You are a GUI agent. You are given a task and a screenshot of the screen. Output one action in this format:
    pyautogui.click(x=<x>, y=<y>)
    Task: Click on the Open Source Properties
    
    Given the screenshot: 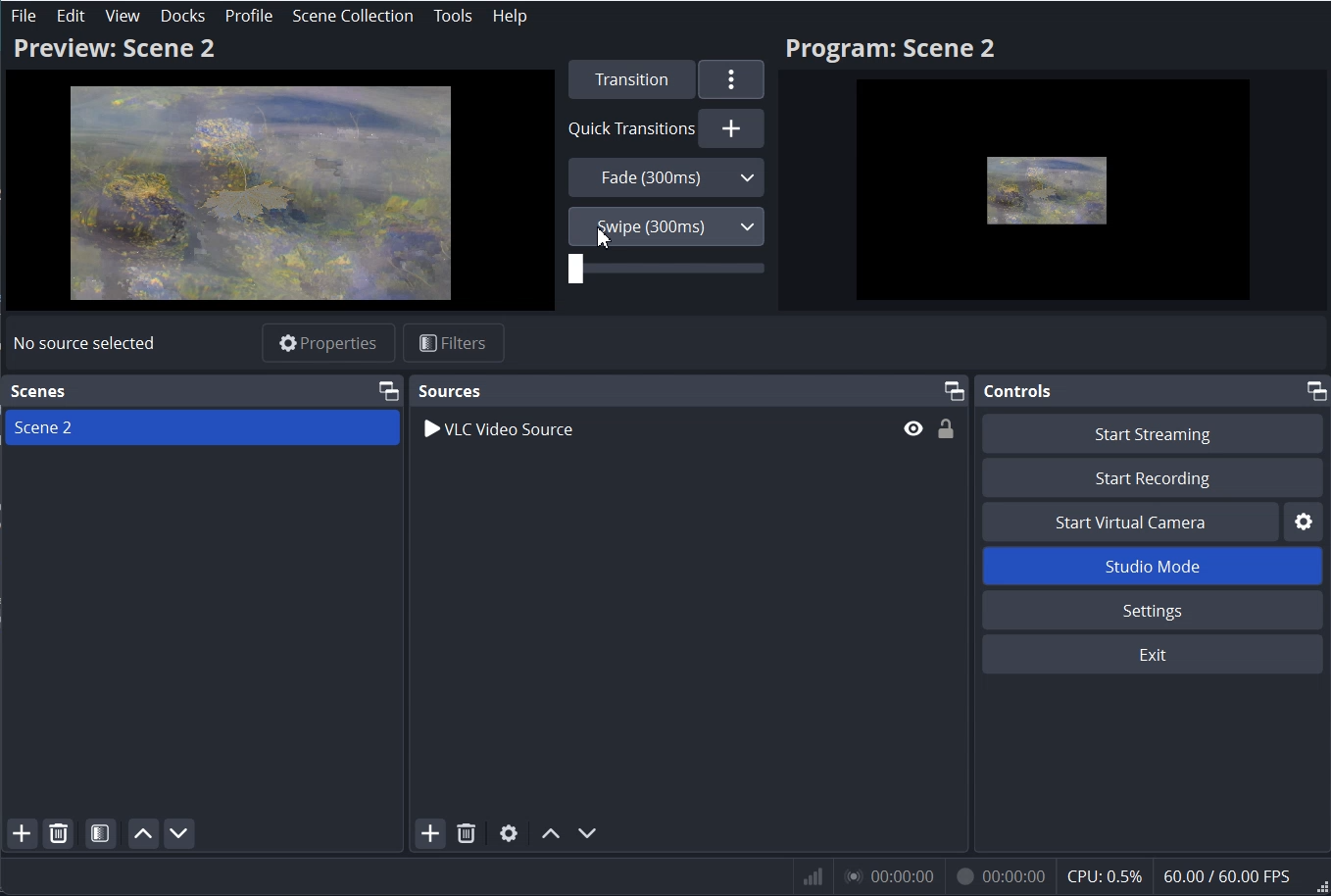 What is the action you would take?
    pyautogui.click(x=510, y=832)
    